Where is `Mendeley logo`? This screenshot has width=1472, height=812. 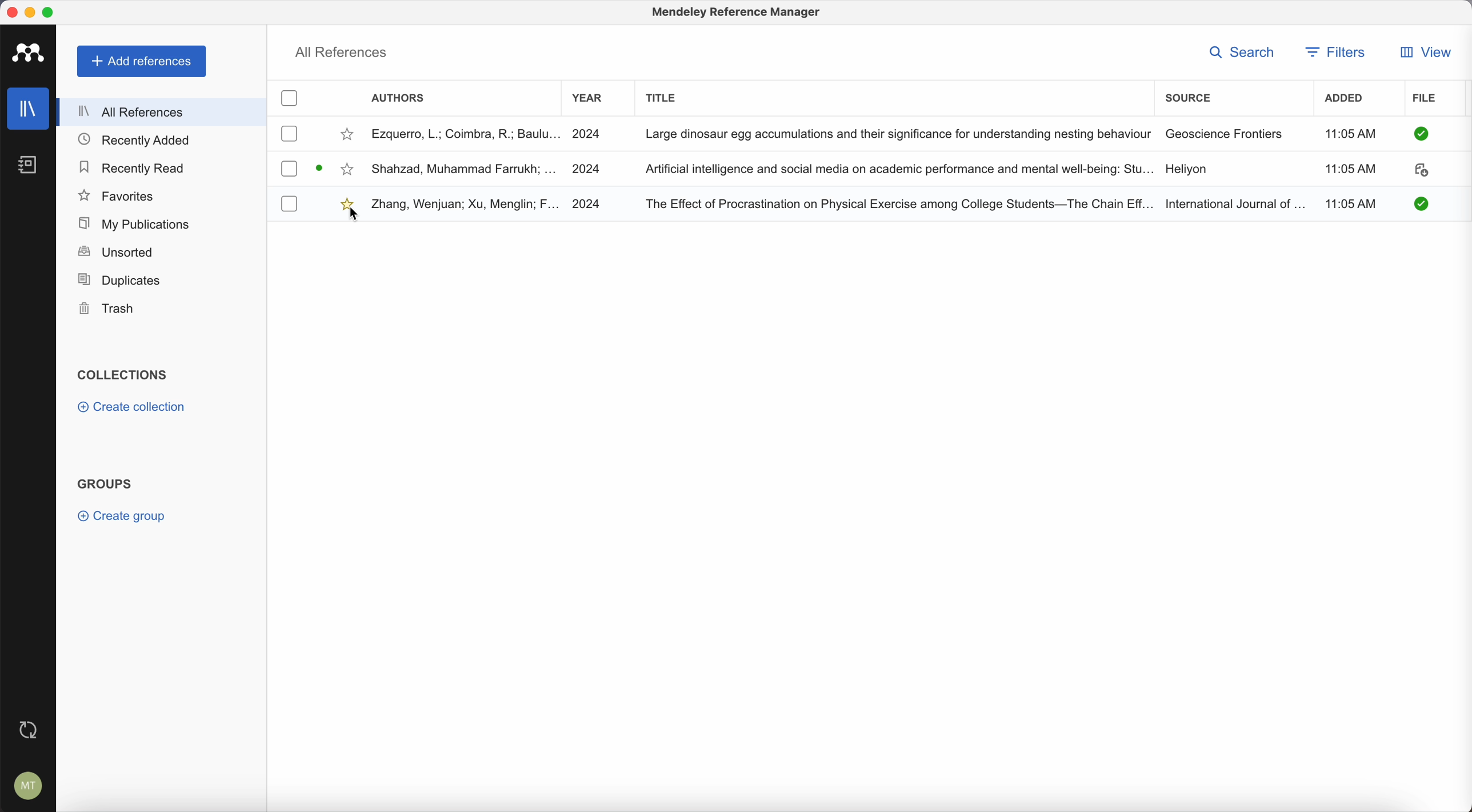 Mendeley logo is located at coordinates (31, 54).